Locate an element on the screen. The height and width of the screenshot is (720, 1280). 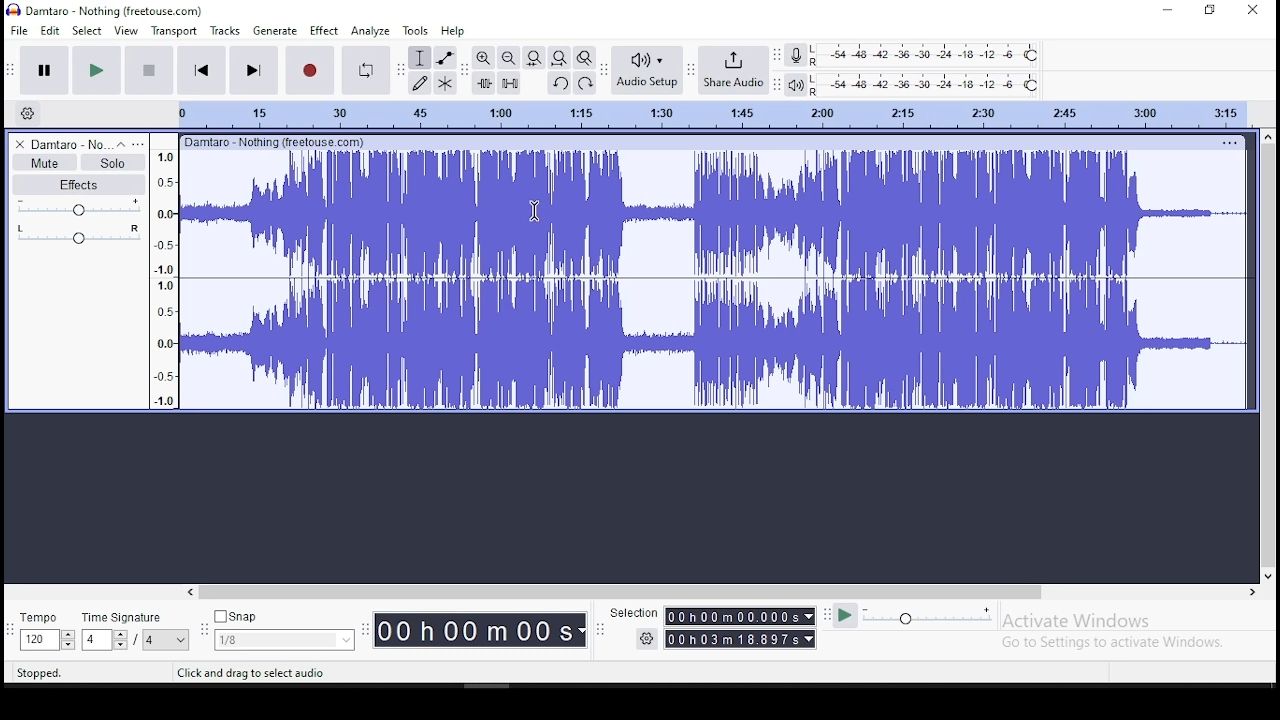
selection is located at coordinates (631, 610).